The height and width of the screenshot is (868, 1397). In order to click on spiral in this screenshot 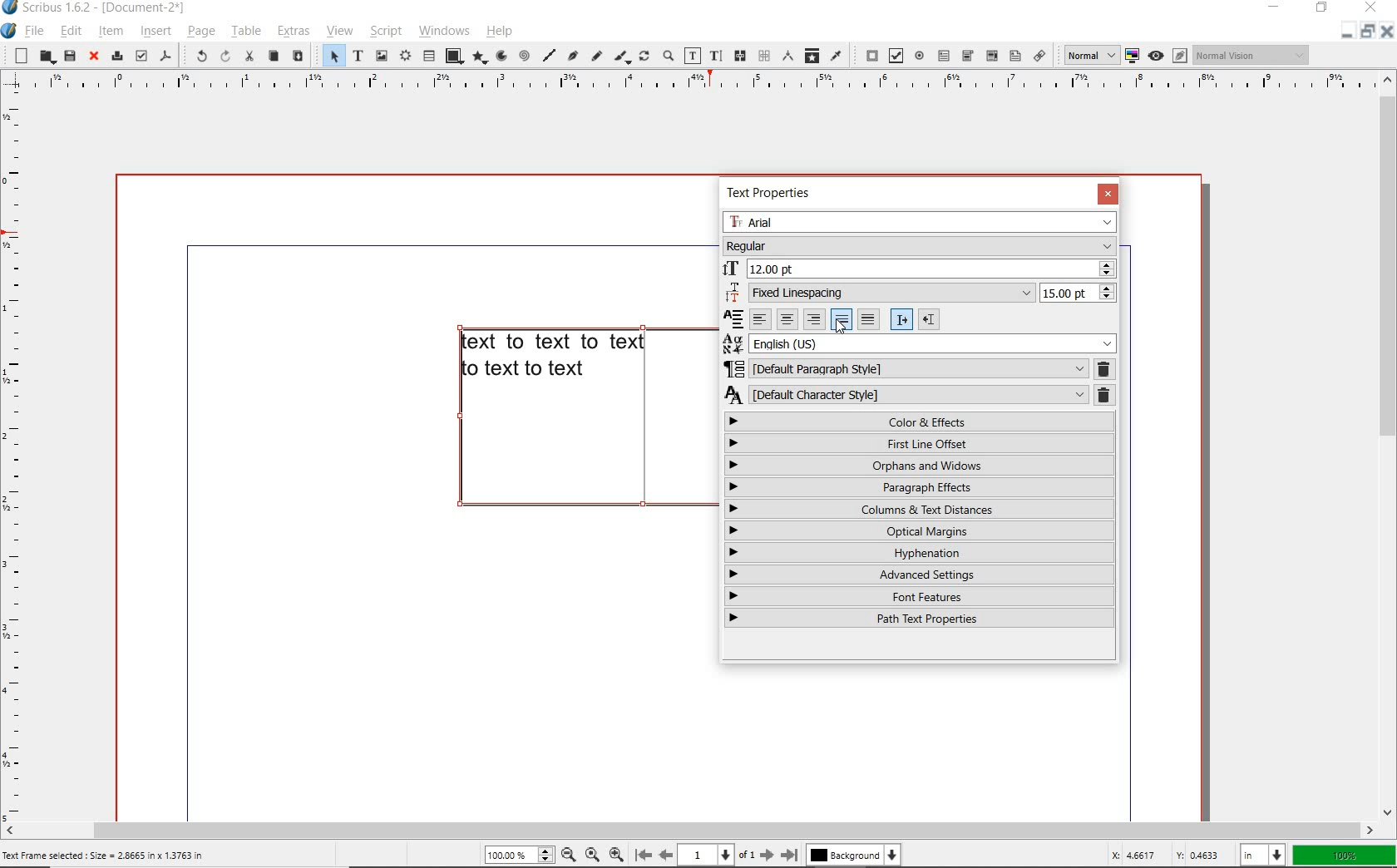, I will do `click(524, 55)`.